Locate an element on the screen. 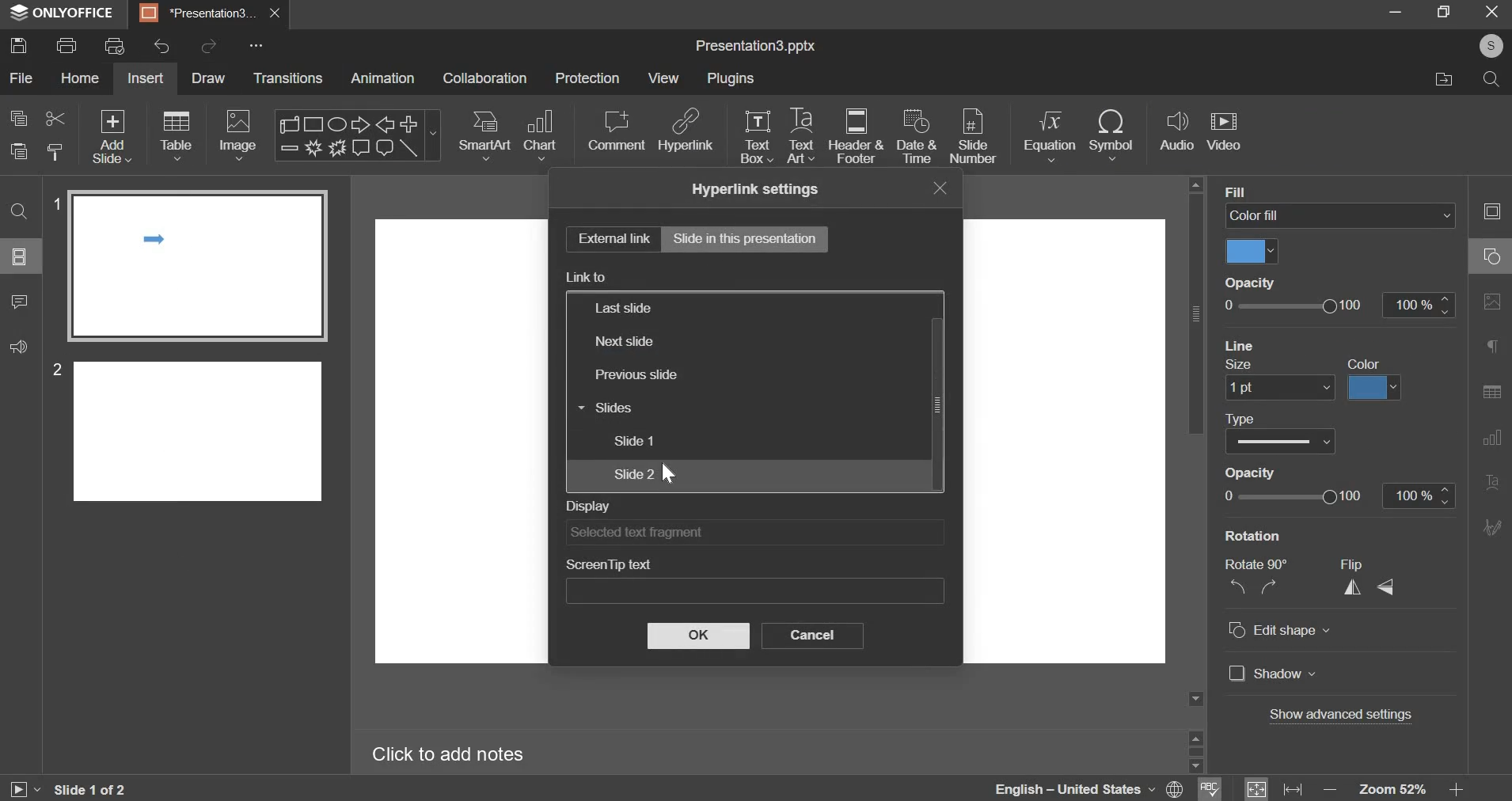  screentip text is located at coordinates (608, 564).